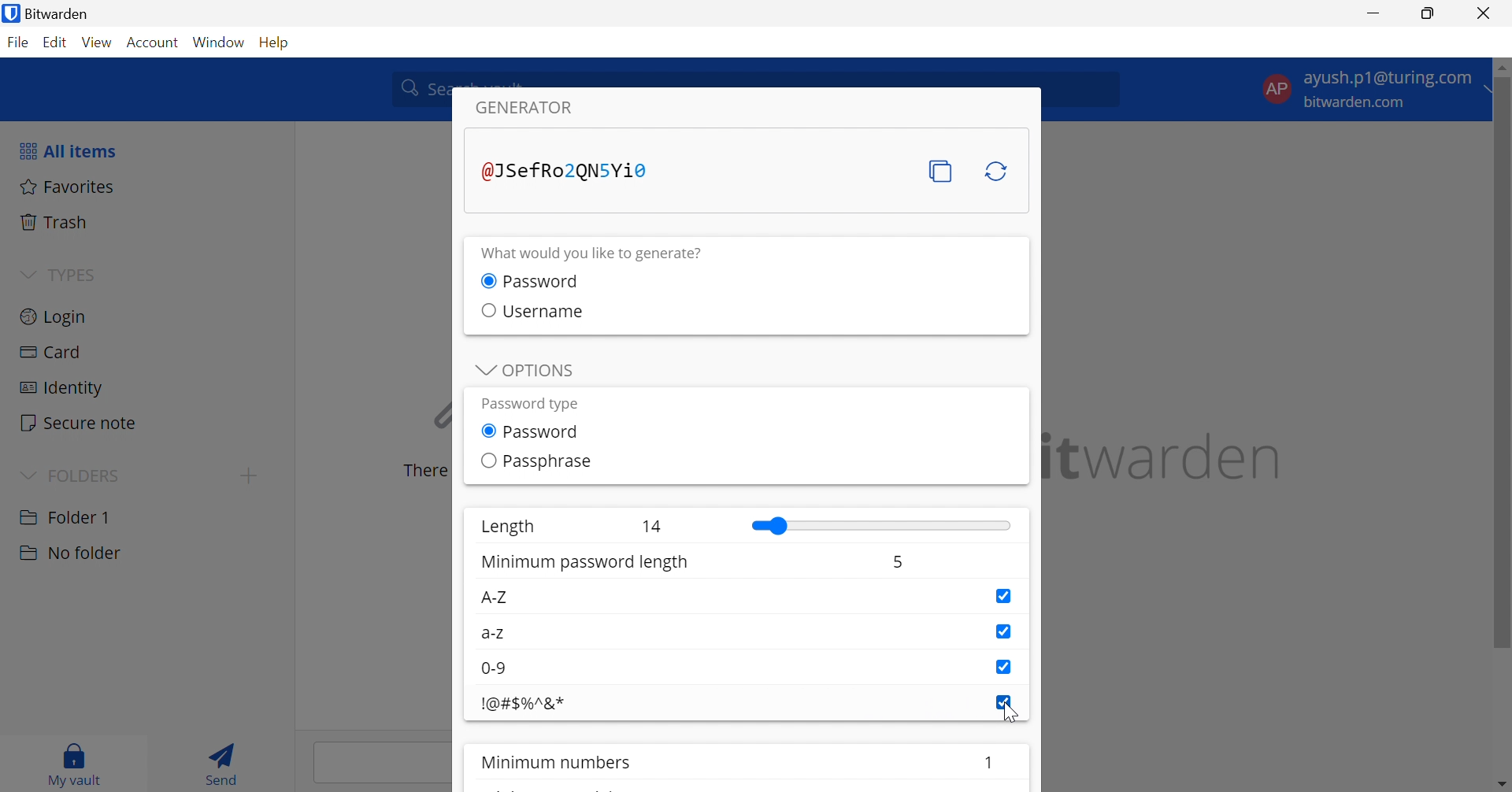 The width and height of the screenshot is (1512, 792). Describe the element at coordinates (27, 475) in the screenshot. I see `Drop Down` at that location.